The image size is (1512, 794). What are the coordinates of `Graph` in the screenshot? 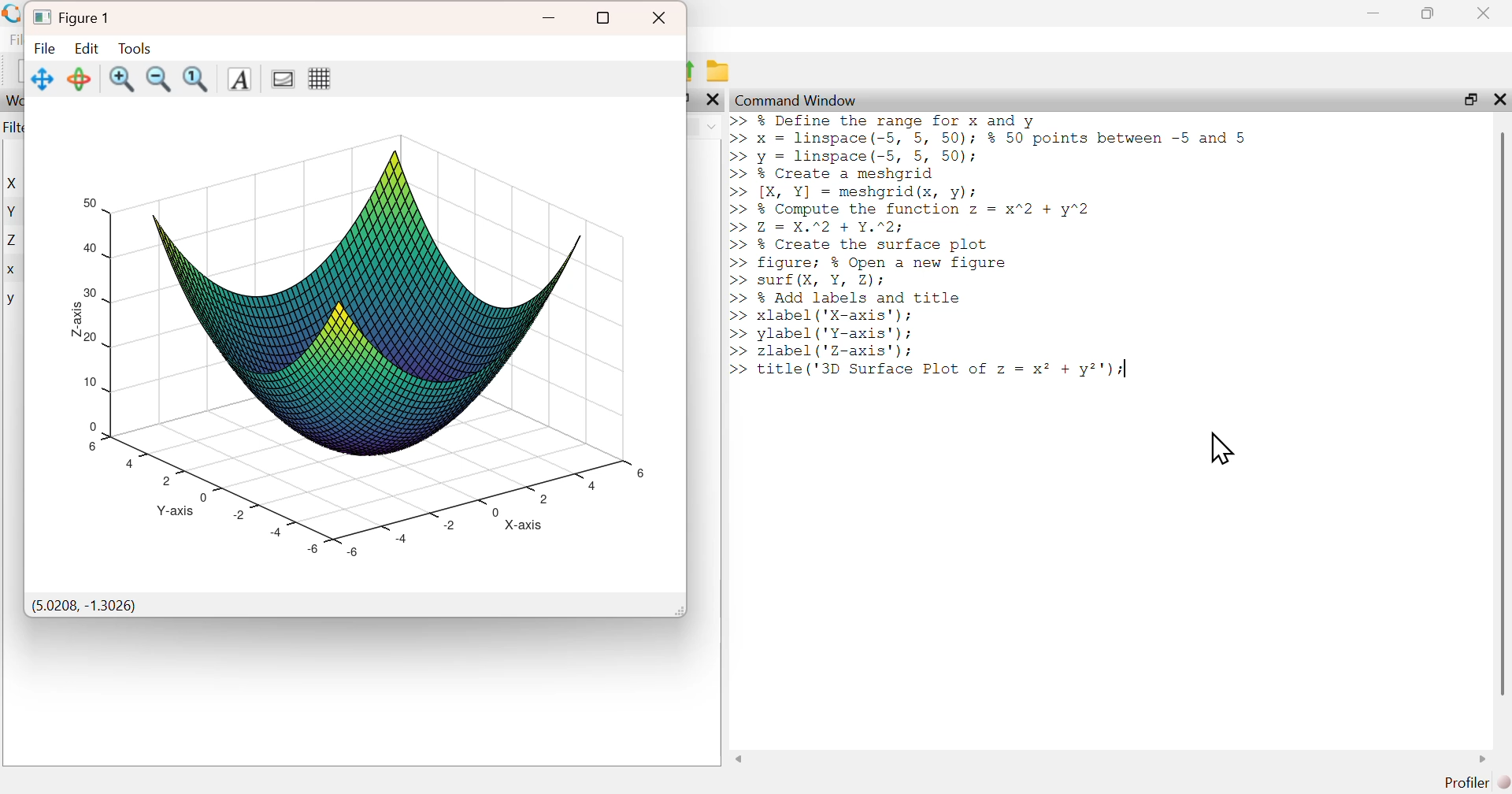 It's located at (354, 337).